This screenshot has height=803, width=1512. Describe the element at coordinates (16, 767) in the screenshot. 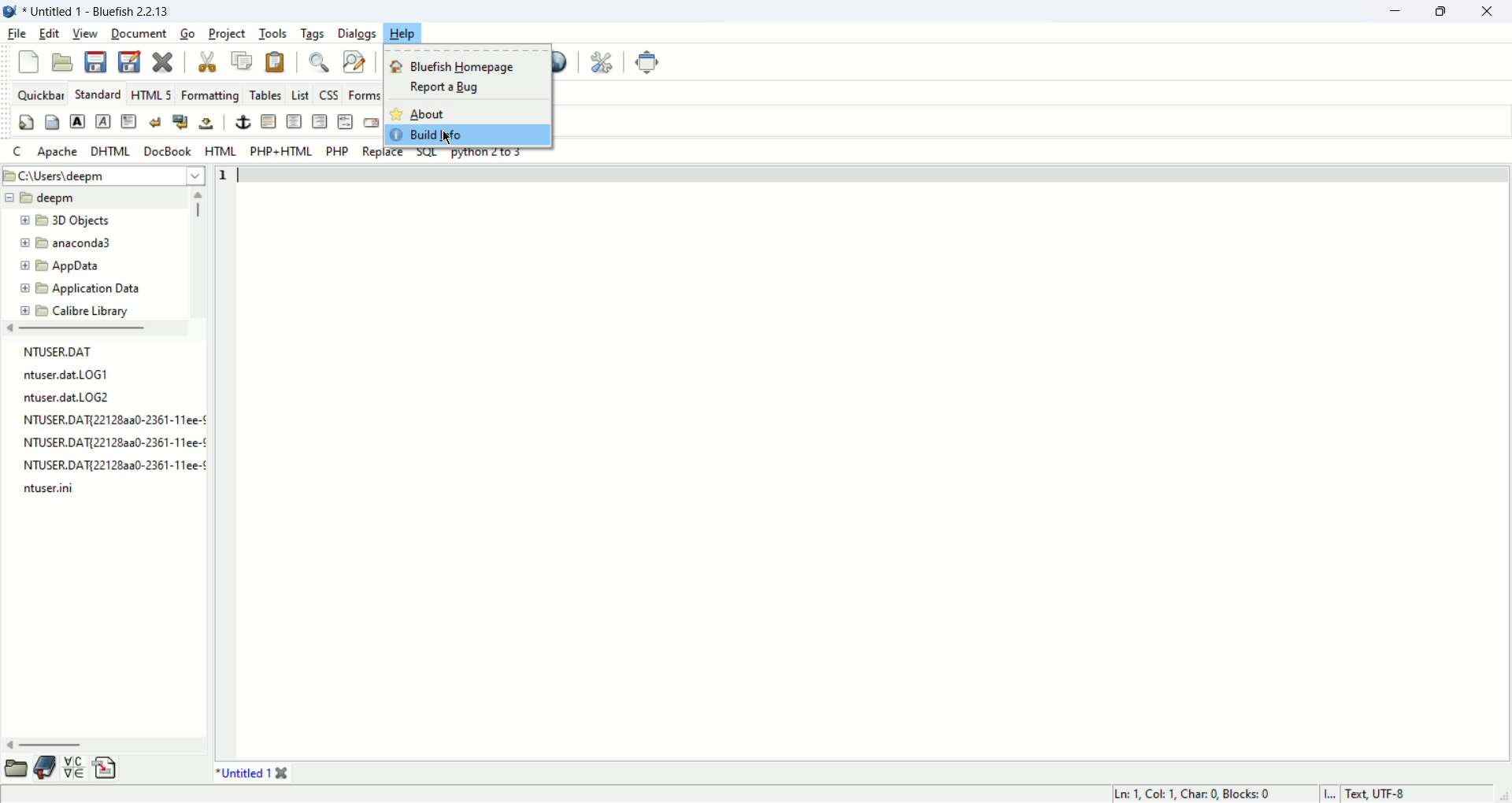

I see `file browser` at that location.